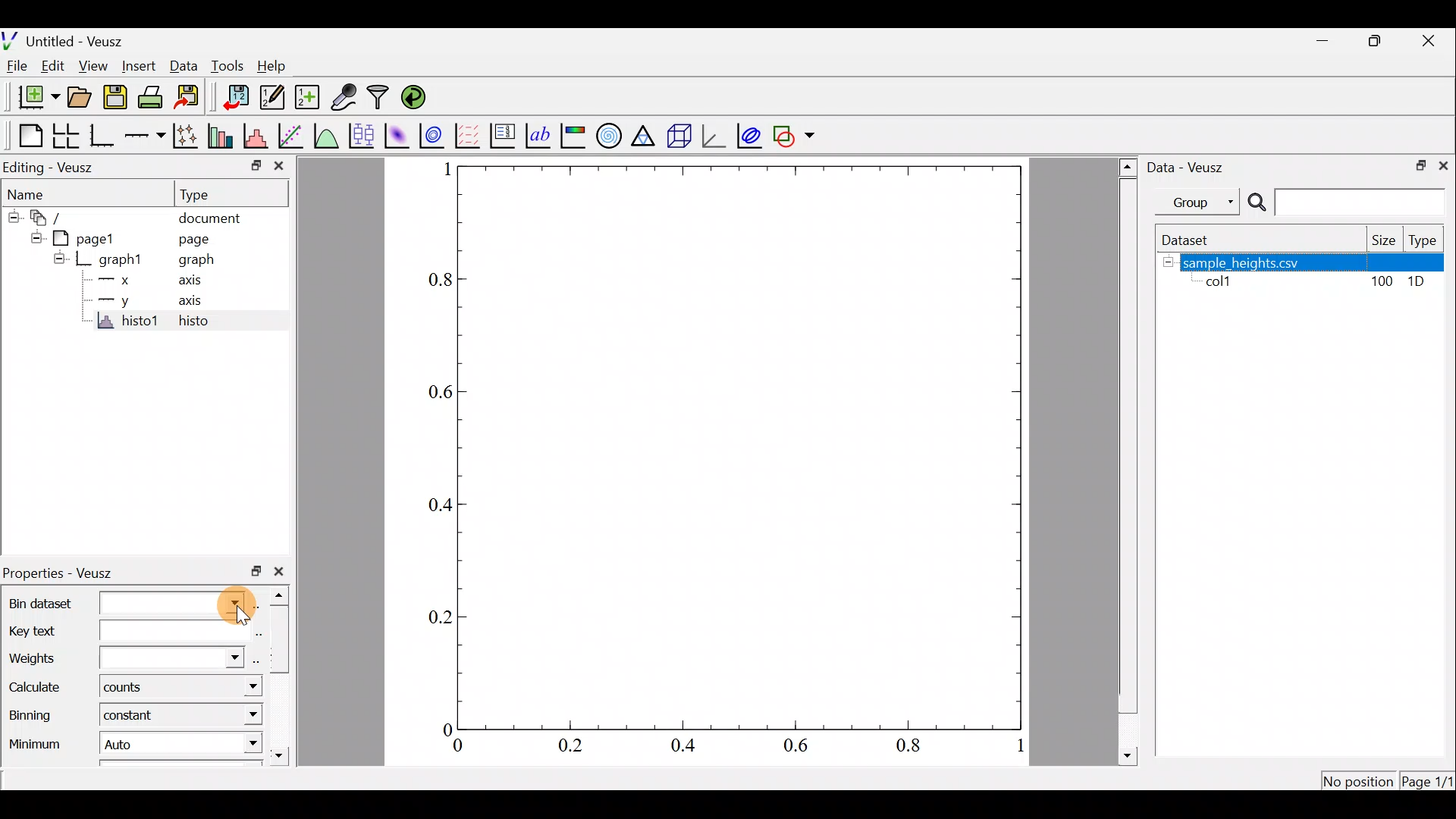 The width and height of the screenshot is (1456, 819). I want to click on plot a 2d dataset as contours, so click(435, 136).